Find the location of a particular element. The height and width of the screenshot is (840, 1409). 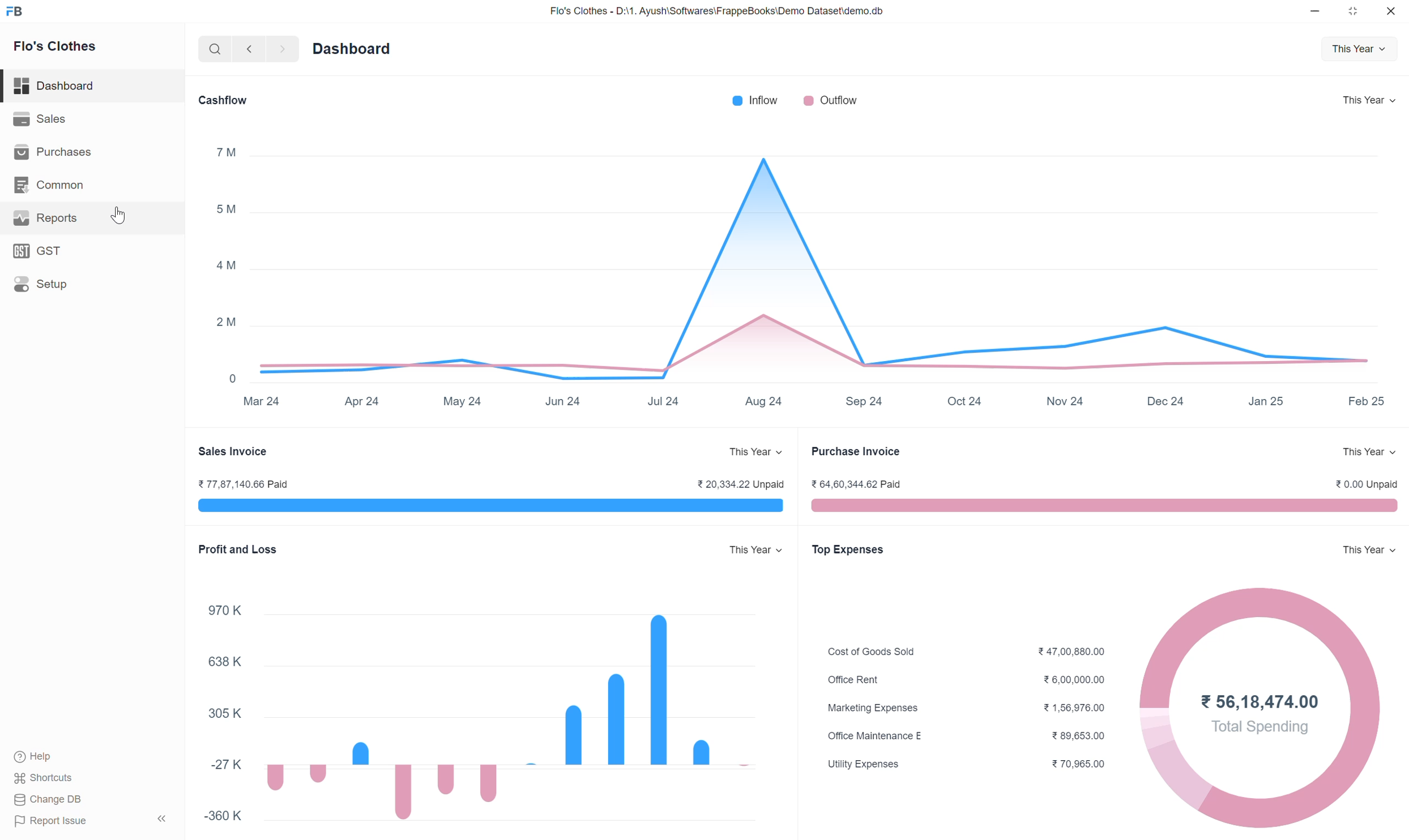

purchases is located at coordinates (93, 152).